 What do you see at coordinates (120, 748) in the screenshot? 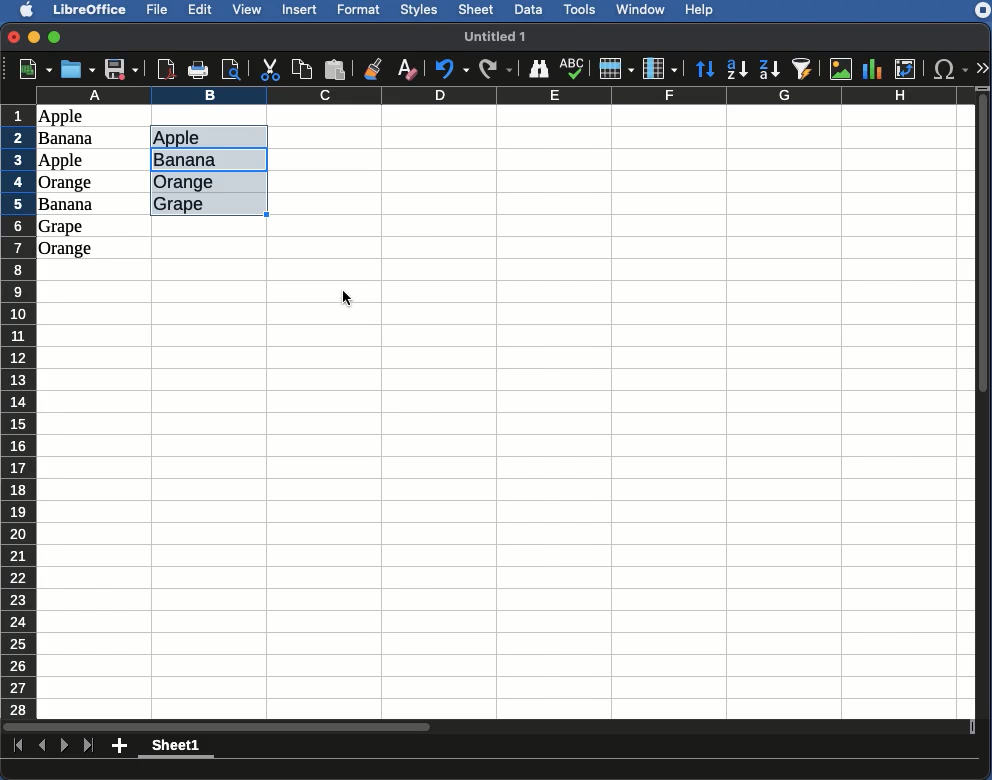
I see `Add sheet` at bounding box center [120, 748].